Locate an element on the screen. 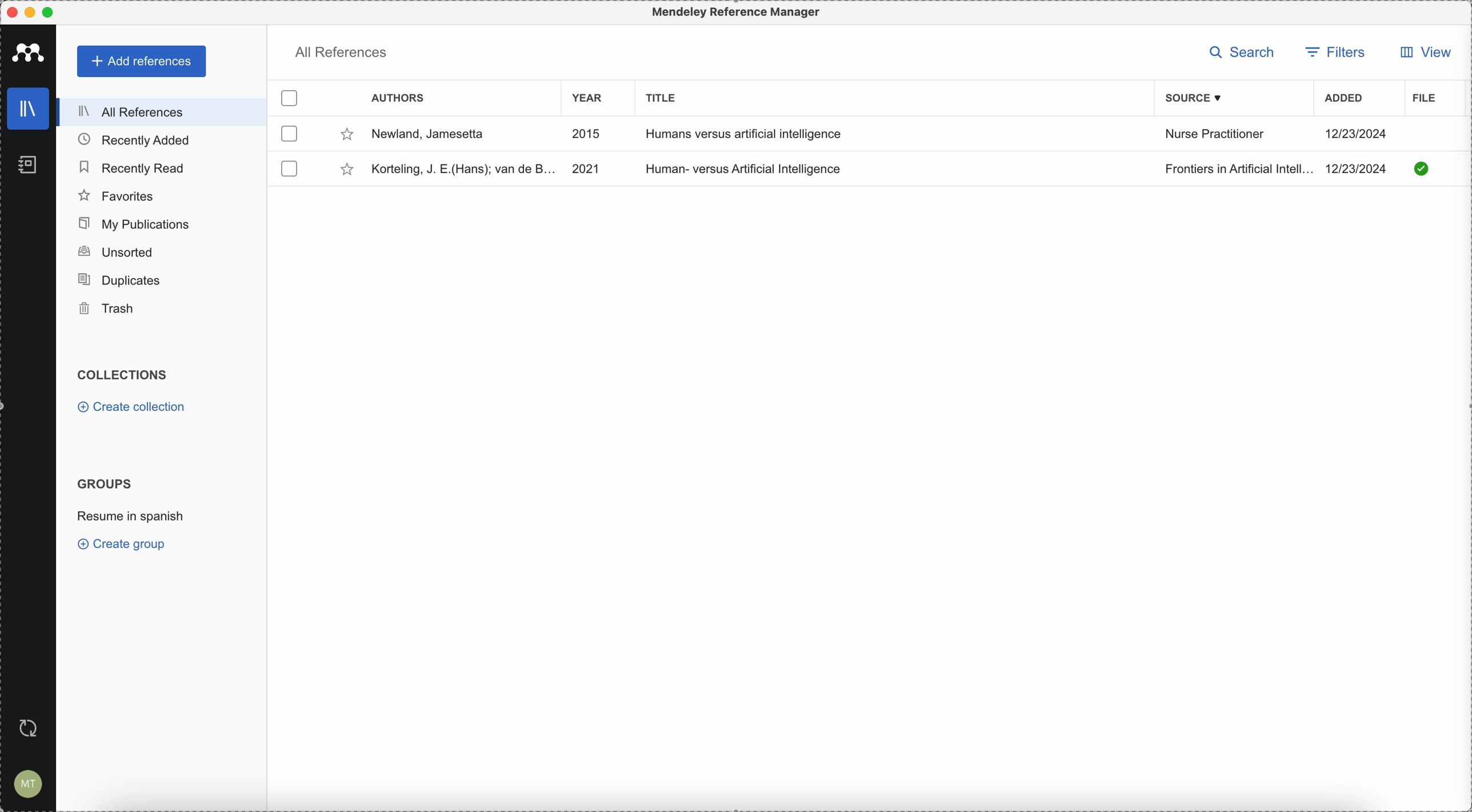  maximize is located at coordinates (53, 11).